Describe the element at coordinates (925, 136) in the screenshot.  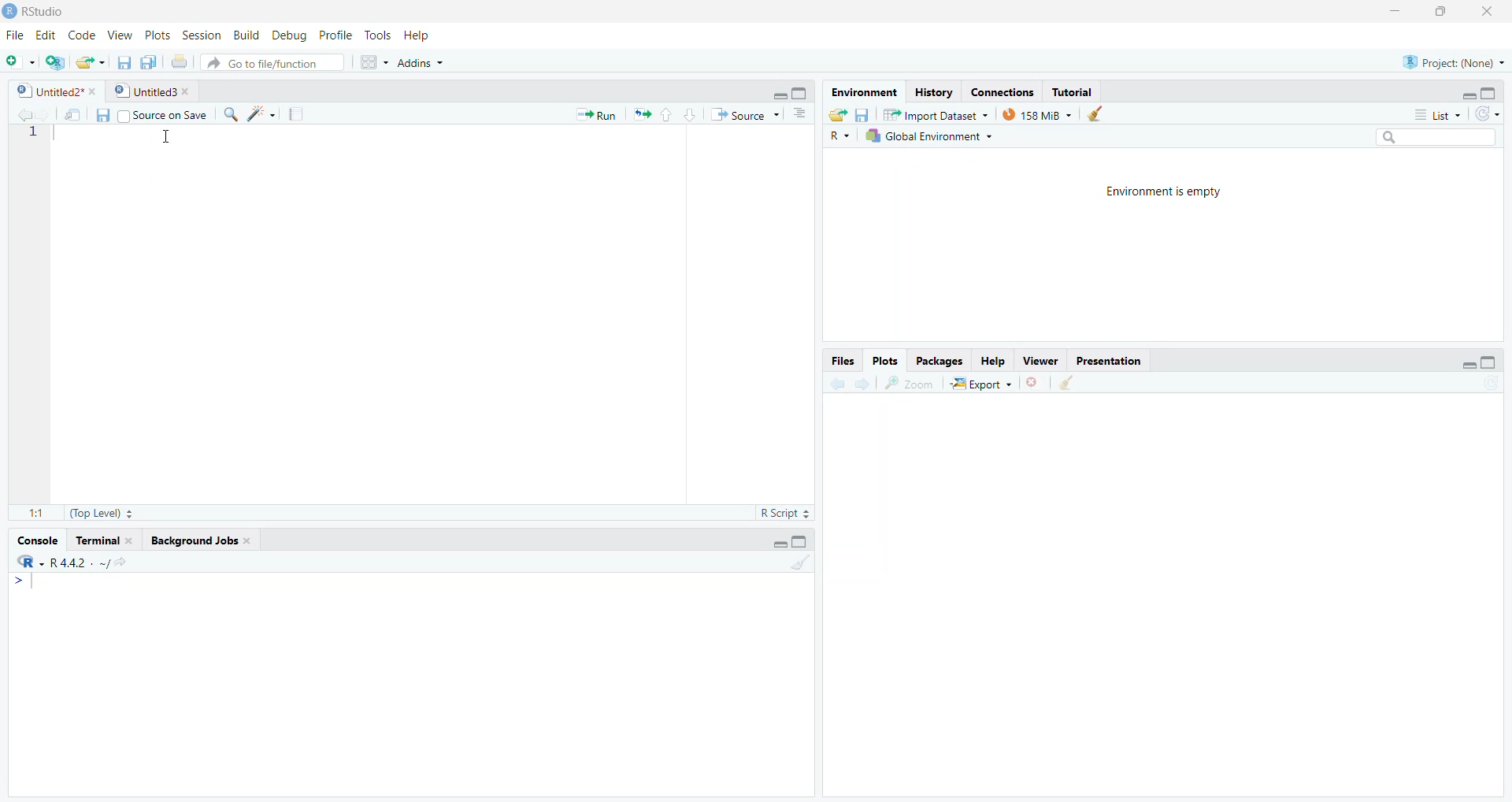
I see `b Global Environment -` at that location.